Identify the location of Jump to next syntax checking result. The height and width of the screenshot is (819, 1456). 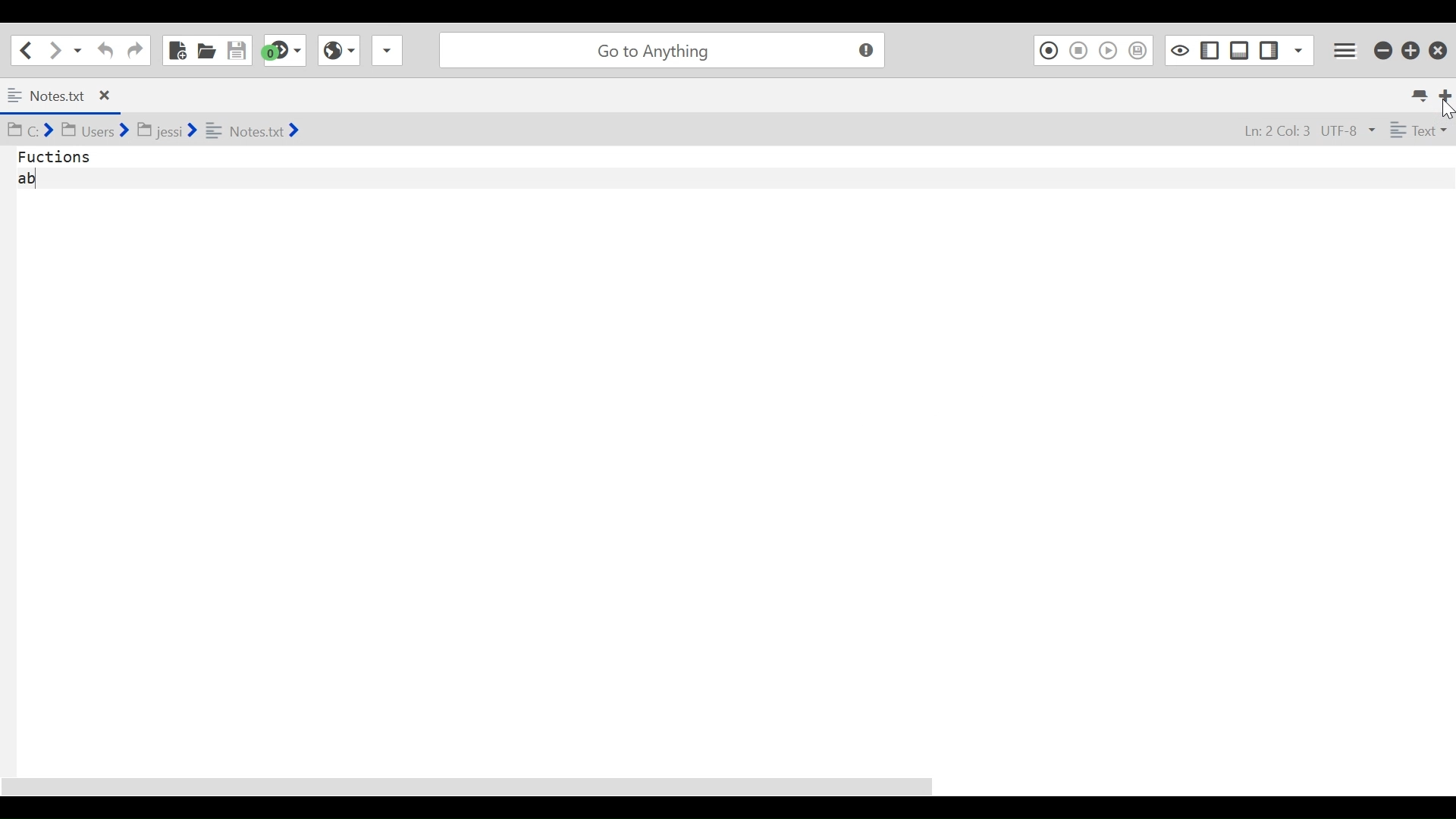
(284, 51).